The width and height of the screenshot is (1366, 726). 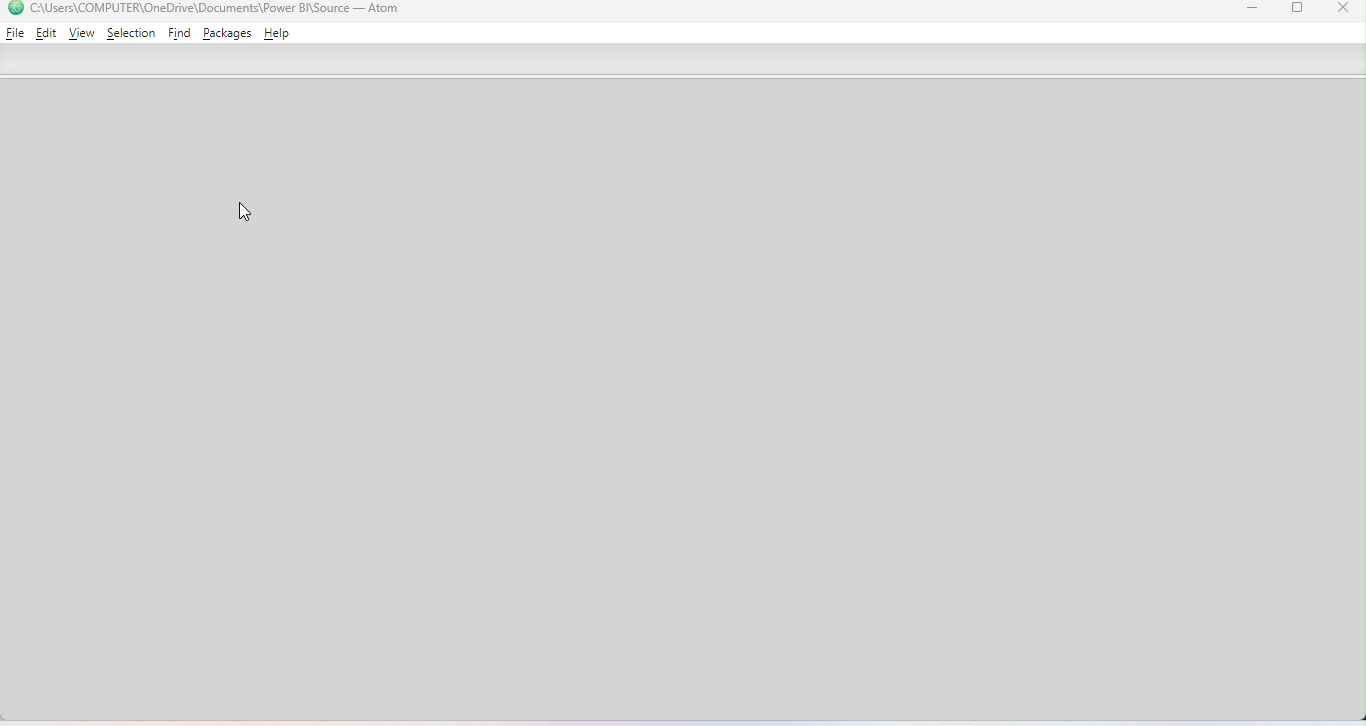 What do you see at coordinates (48, 32) in the screenshot?
I see `Edit` at bounding box center [48, 32].